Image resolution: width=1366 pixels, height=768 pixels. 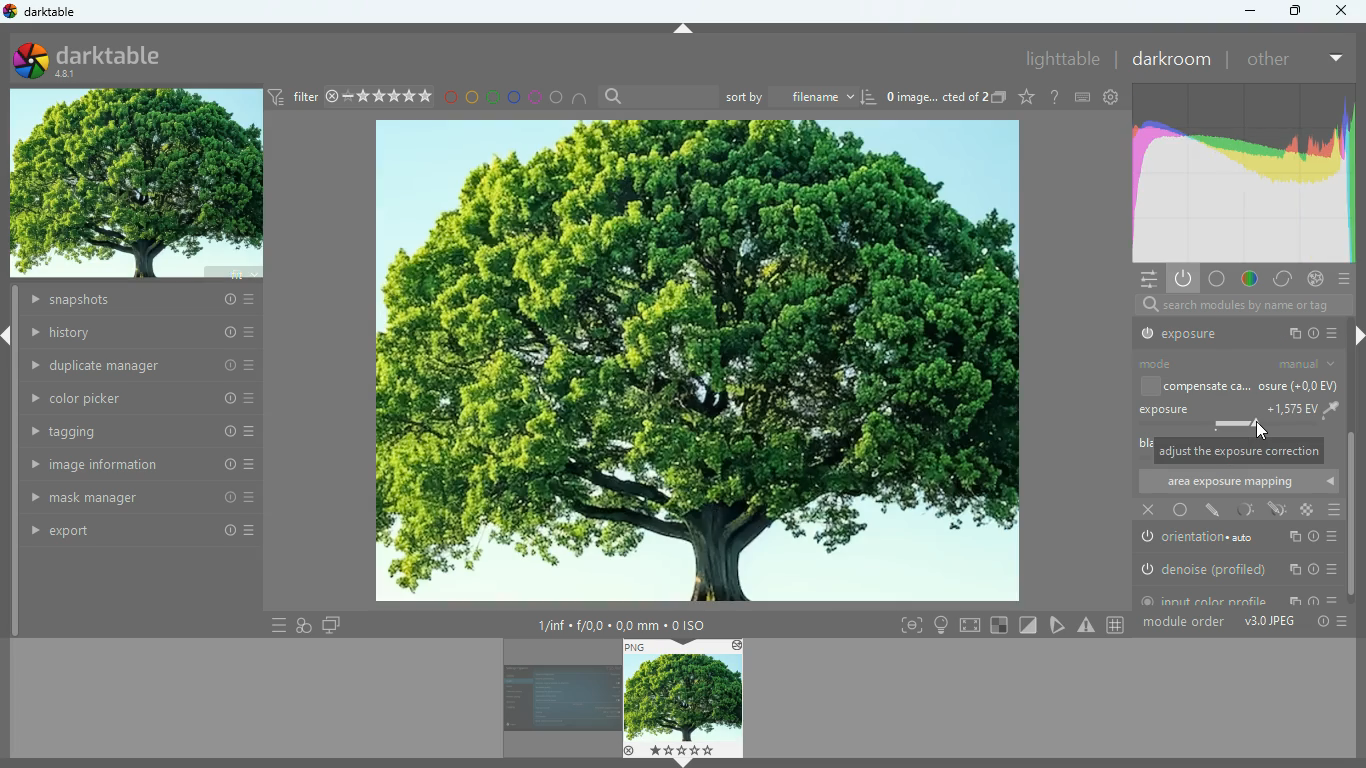 What do you see at coordinates (534, 98) in the screenshot?
I see `pink` at bounding box center [534, 98].